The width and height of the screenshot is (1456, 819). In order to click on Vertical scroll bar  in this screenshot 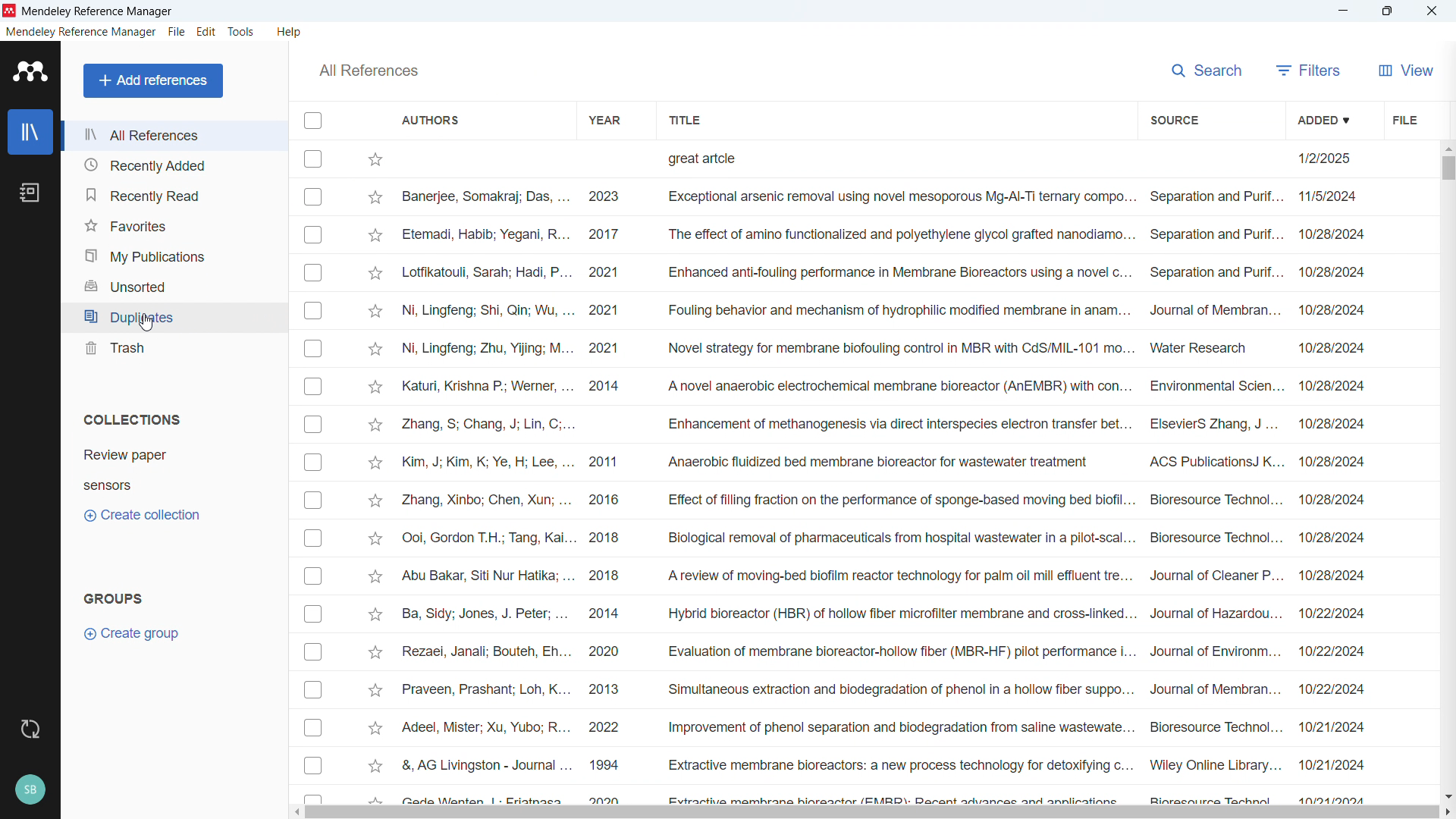, I will do `click(1447, 169)`.